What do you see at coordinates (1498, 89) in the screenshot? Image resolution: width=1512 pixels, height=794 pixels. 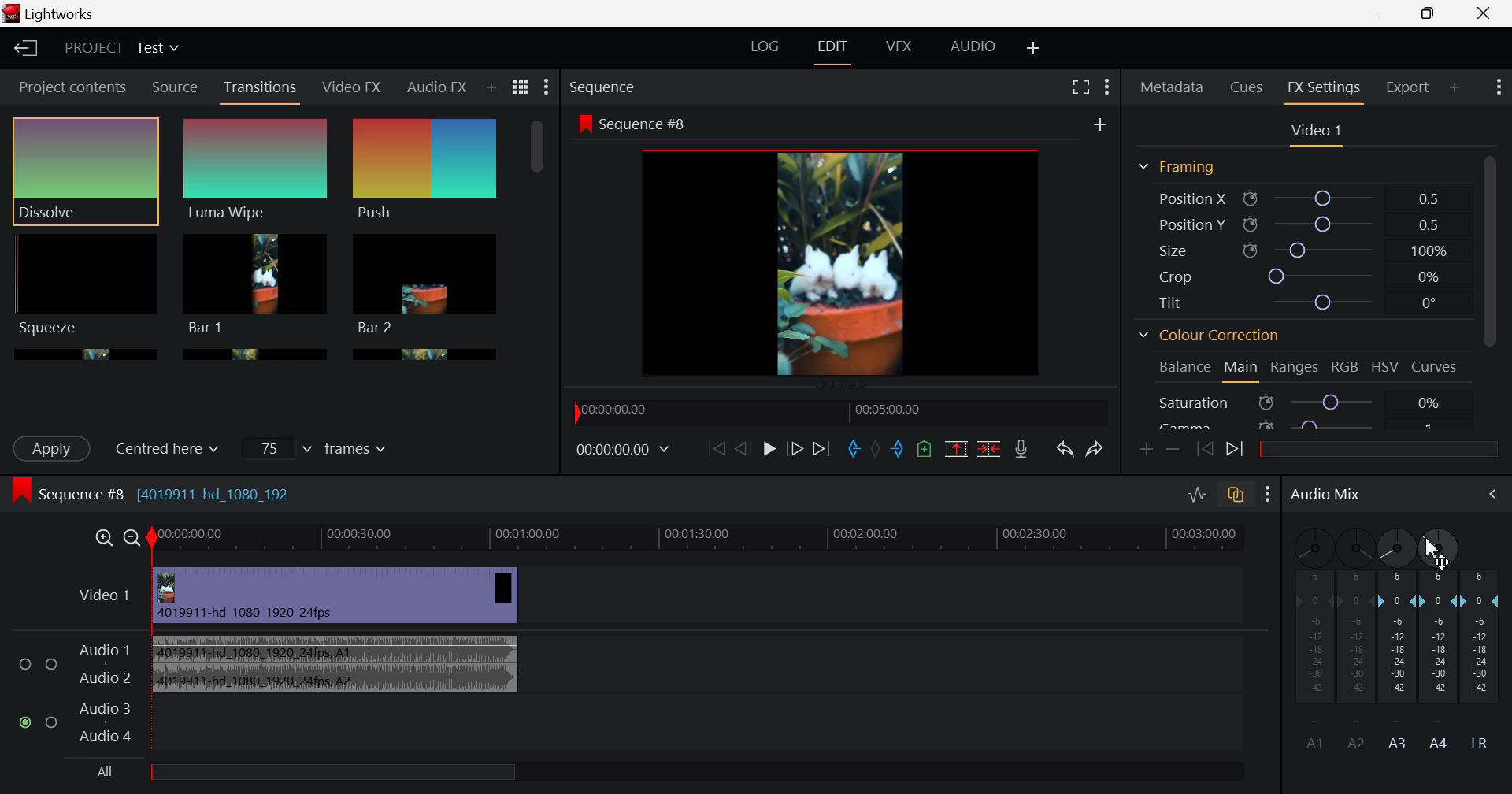 I see `Show Settings` at bounding box center [1498, 89].